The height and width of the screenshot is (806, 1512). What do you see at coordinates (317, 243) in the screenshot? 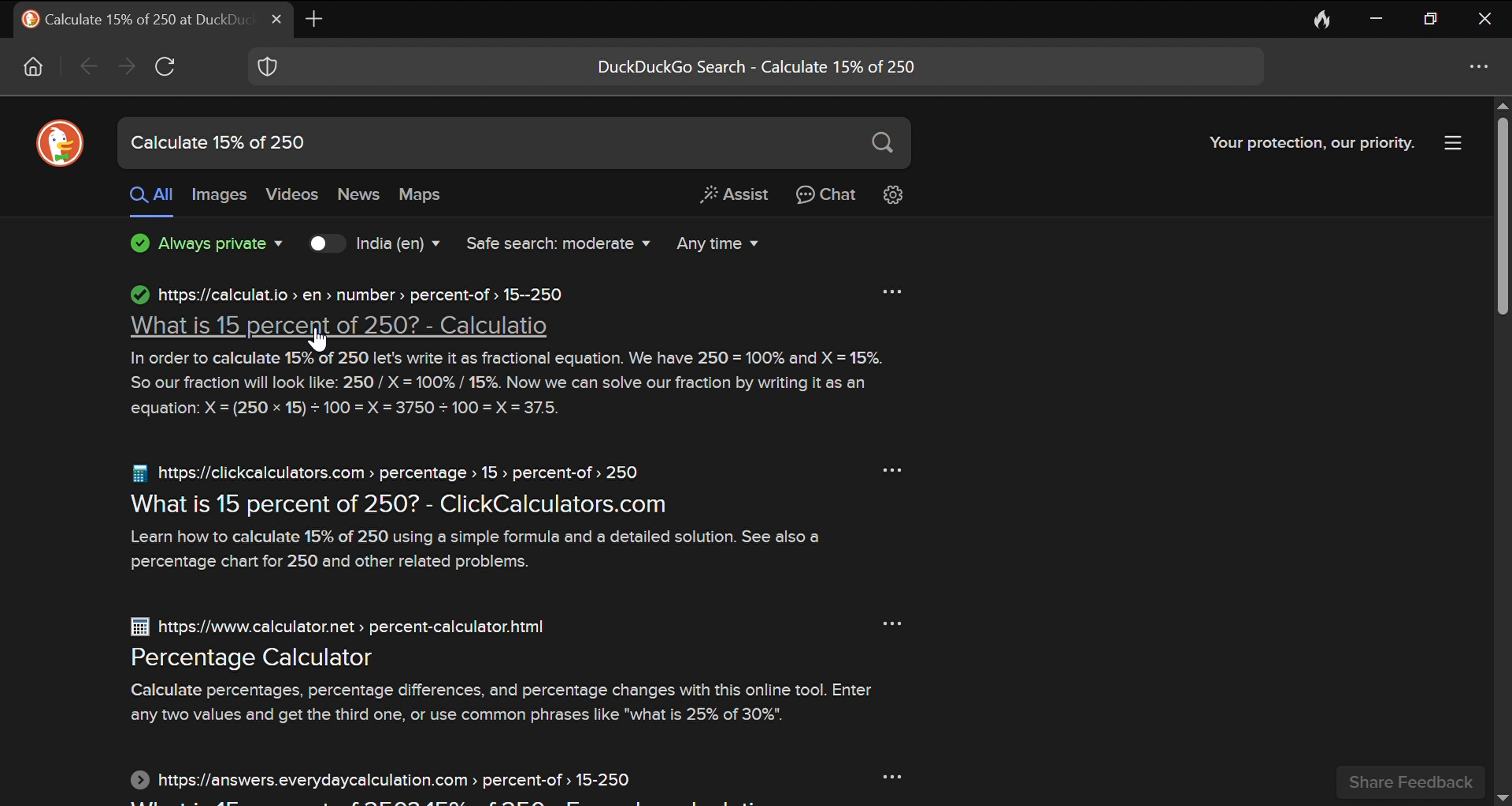
I see `Turn on/off` at bounding box center [317, 243].